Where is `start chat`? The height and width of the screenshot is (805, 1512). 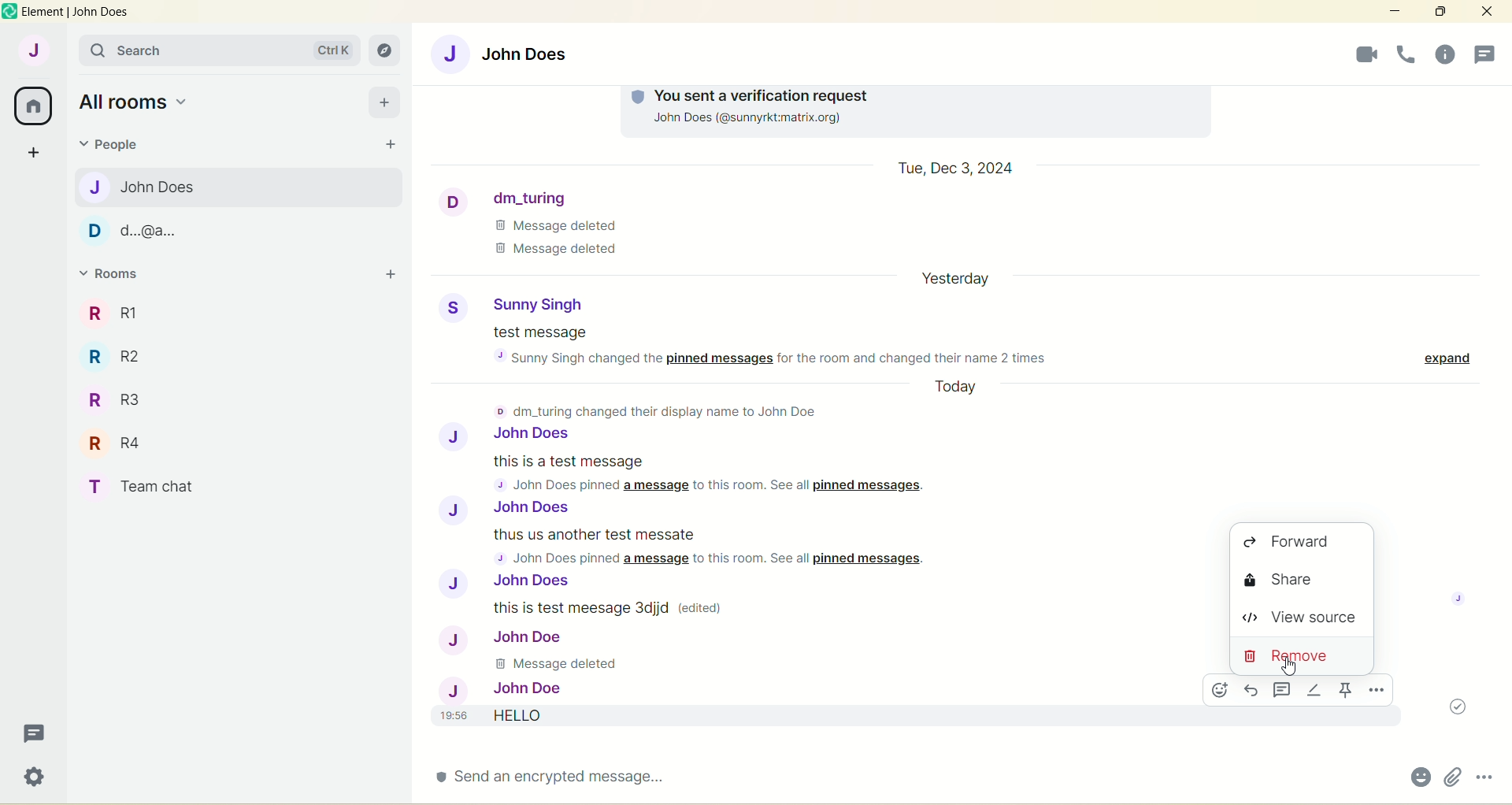
start chat is located at coordinates (391, 143).